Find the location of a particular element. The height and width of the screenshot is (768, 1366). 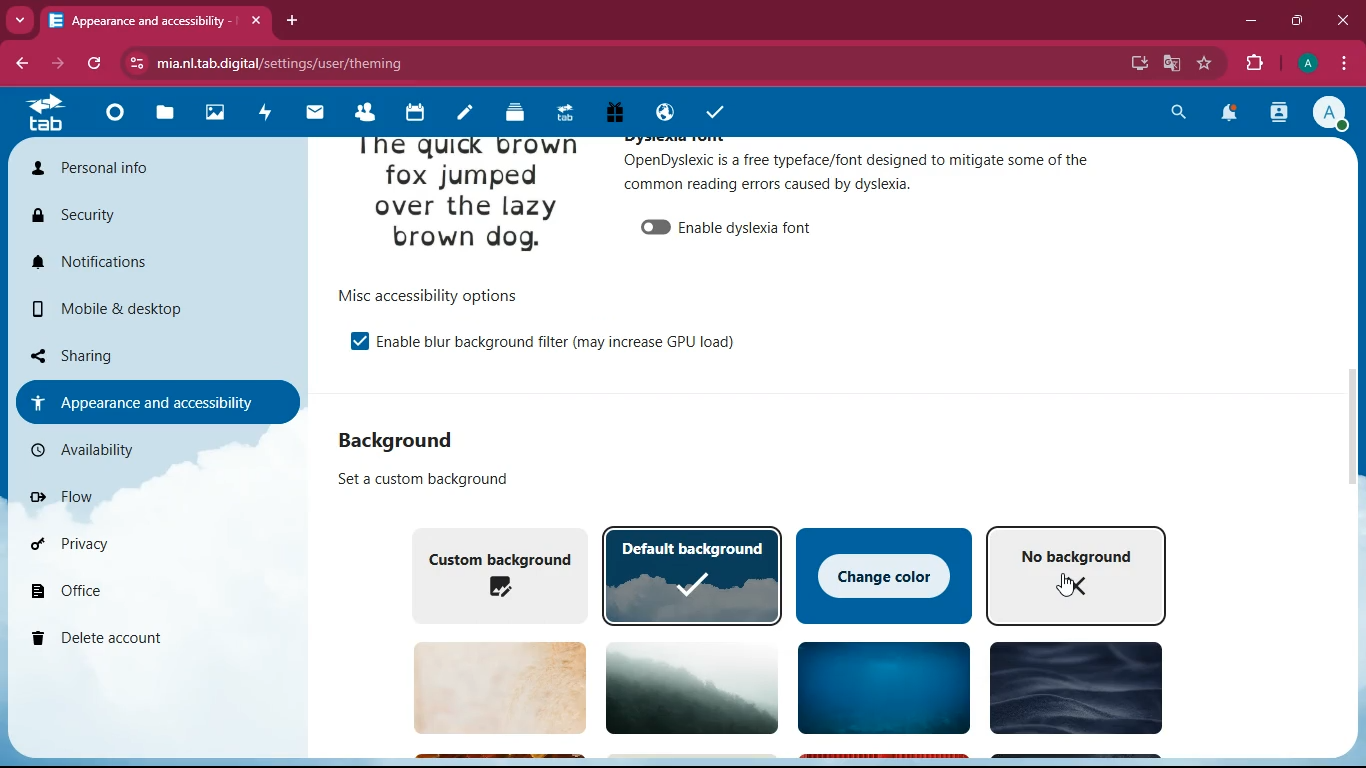

office is located at coordinates (153, 594).